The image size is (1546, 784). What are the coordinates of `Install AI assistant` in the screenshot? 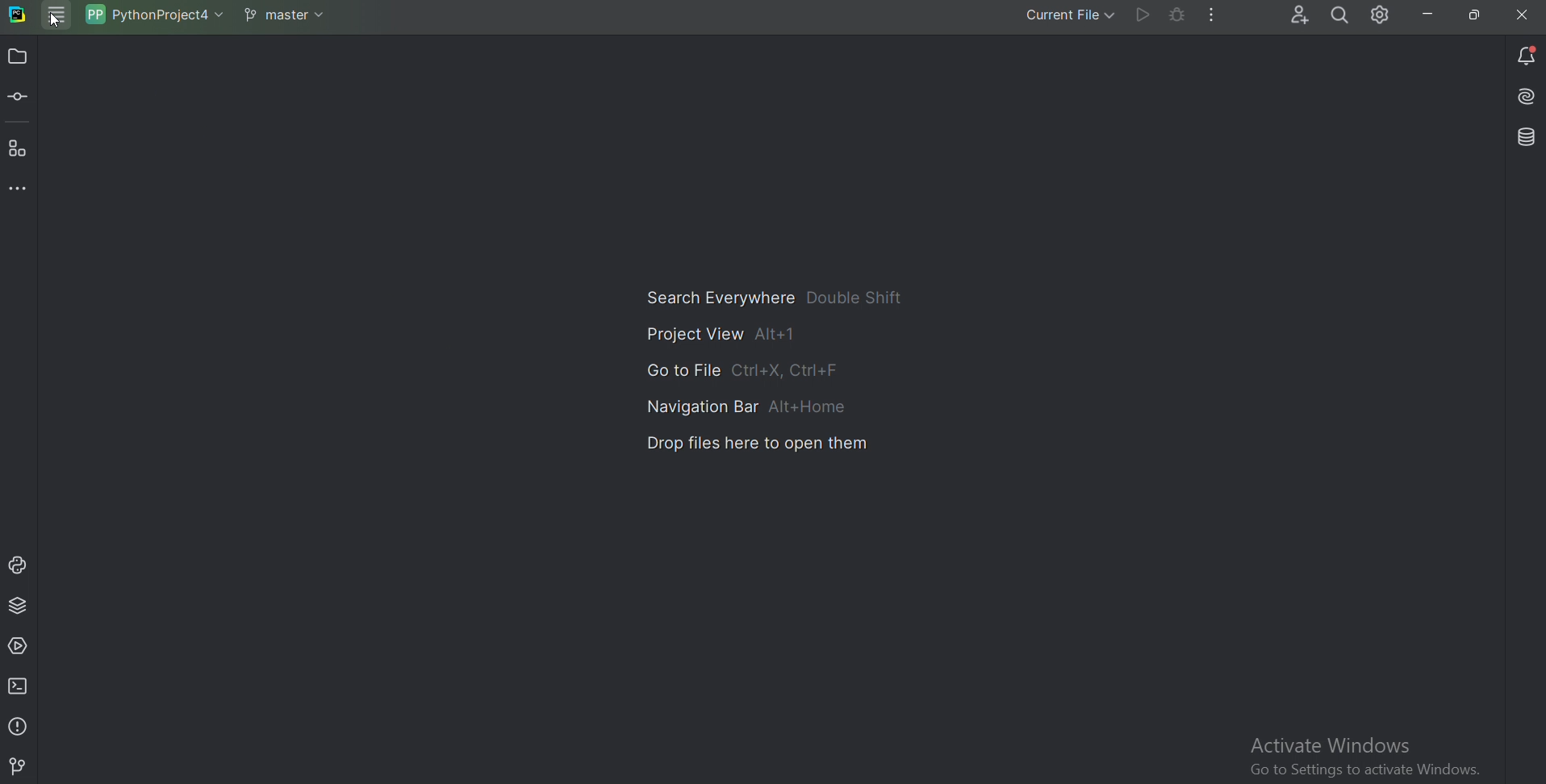 It's located at (1524, 99).